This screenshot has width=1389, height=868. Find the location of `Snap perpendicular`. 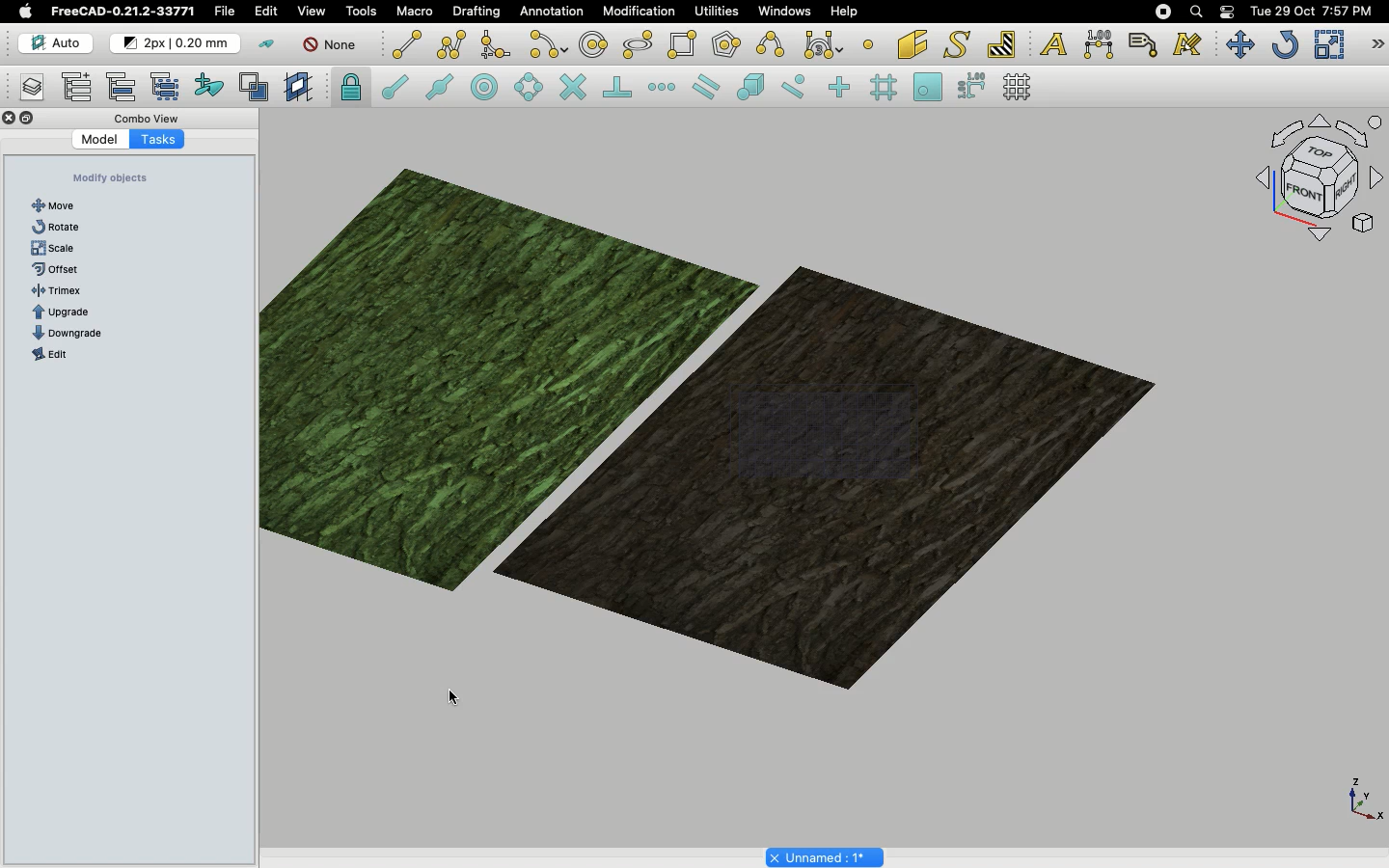

Snap perpendicular is located at coordinates (620, 89).